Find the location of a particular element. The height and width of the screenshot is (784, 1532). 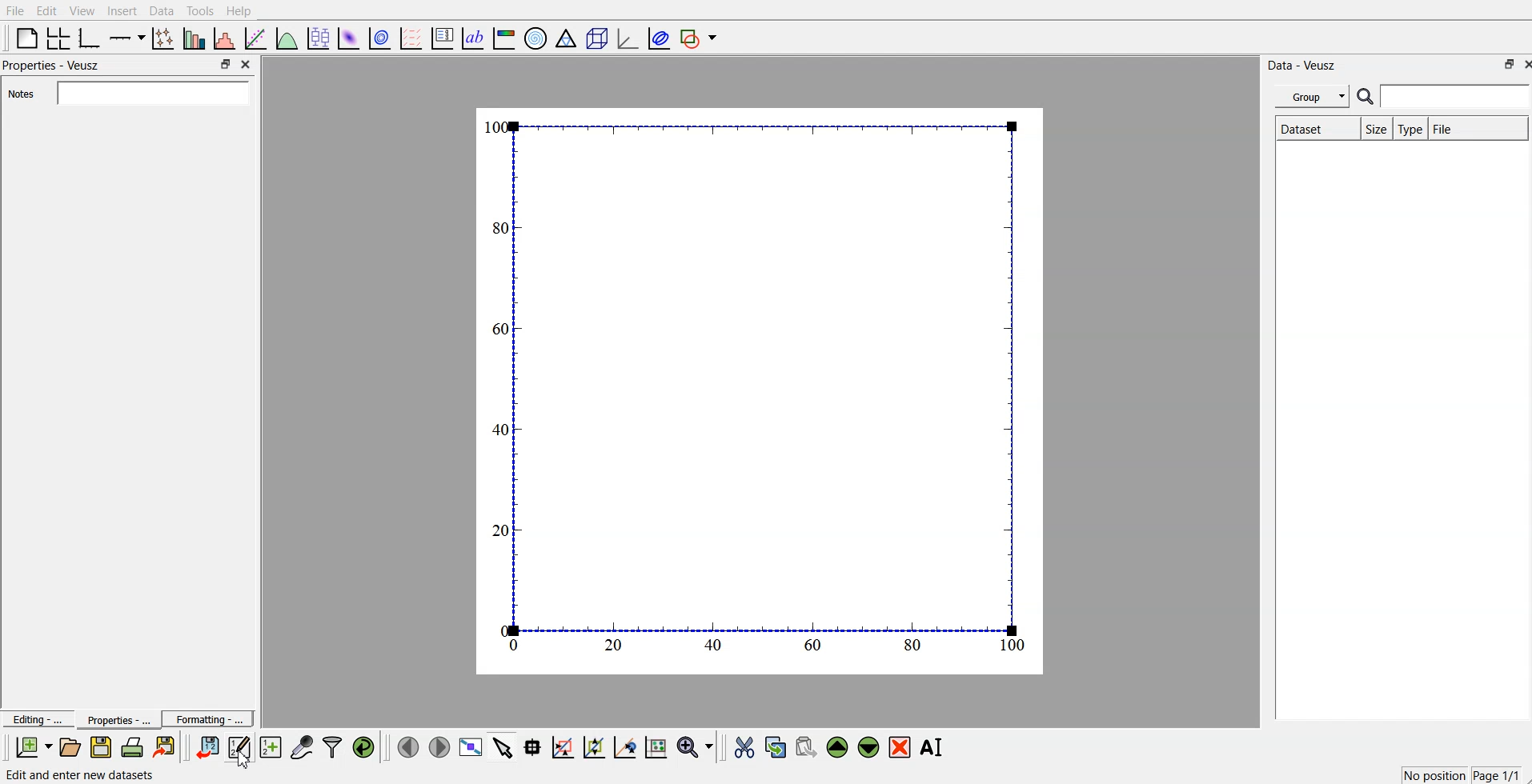

View plot full screen is located at coordinates (471, 746).